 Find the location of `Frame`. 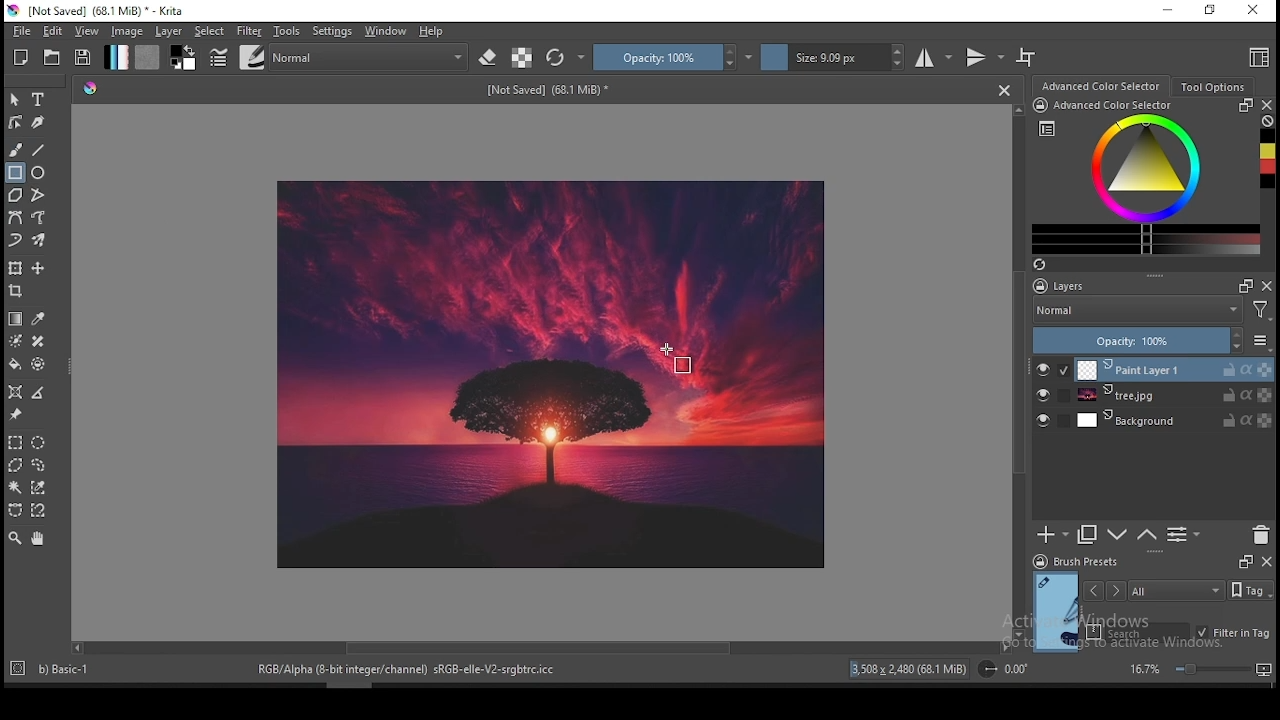

Frame is located at coordinates (1243, 562).